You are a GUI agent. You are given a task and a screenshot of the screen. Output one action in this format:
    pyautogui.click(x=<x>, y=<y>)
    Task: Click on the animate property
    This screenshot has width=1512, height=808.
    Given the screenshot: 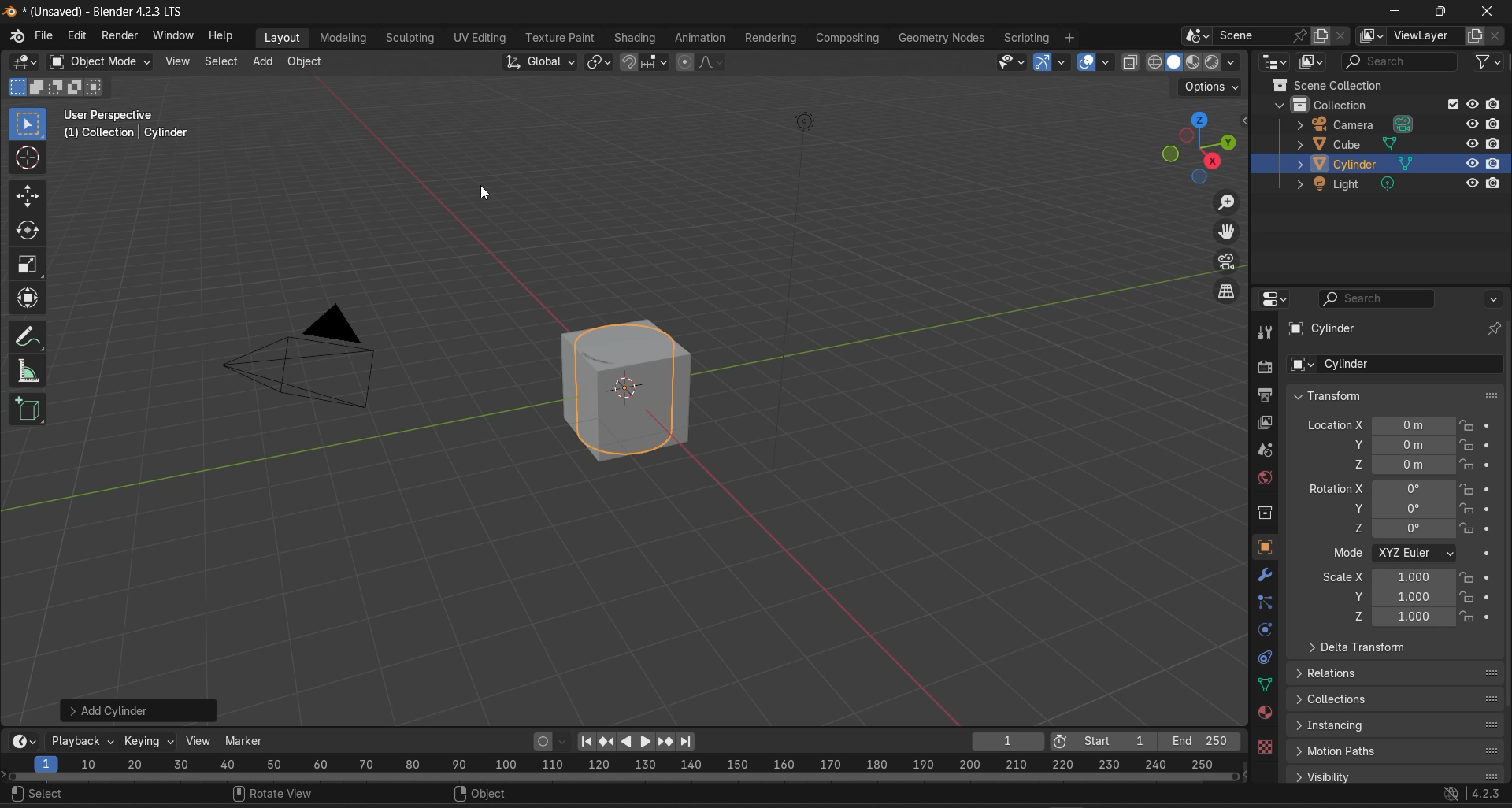 What is the action you would take?
    pyautogui.click(x=1492, y=489)
    